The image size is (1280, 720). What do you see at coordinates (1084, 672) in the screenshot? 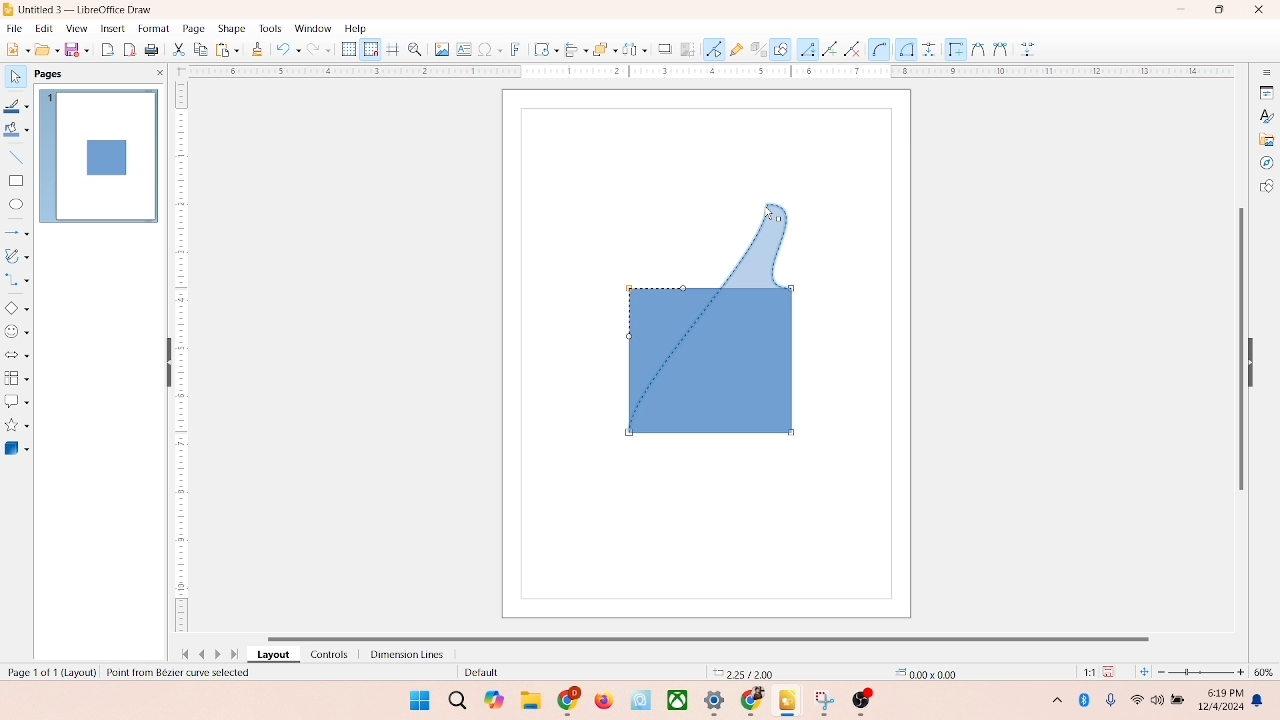
I see `scaling factor` at bounding box center [1084, 672].